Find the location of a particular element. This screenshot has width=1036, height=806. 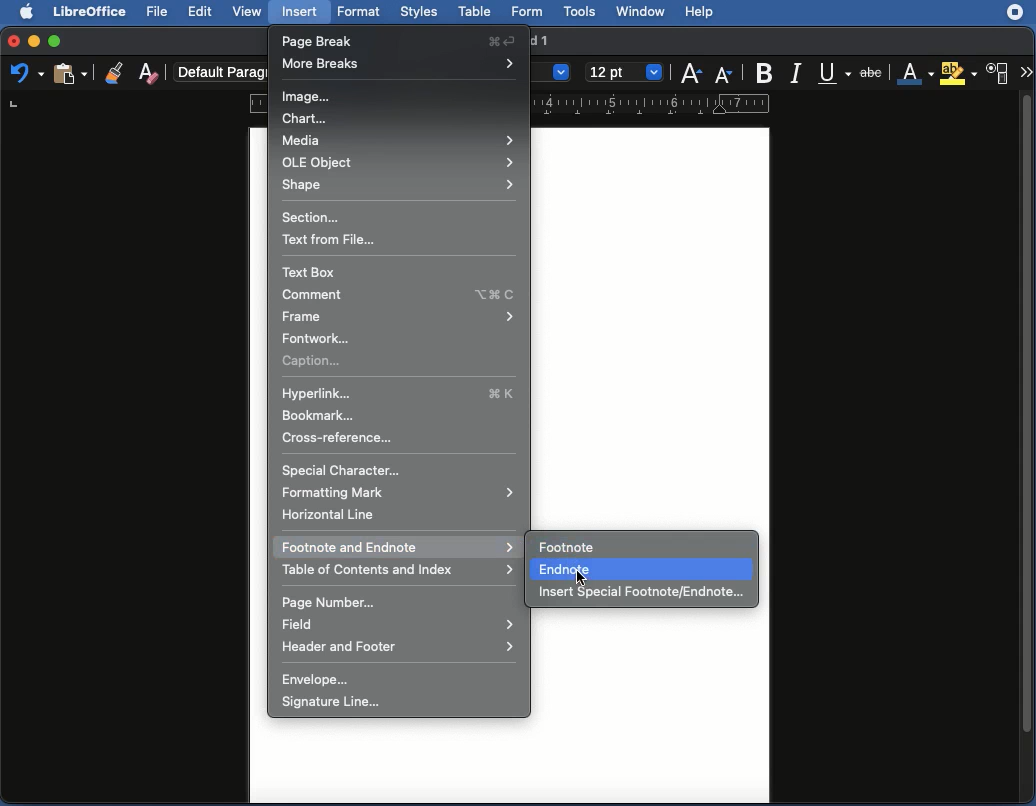

More breaks is located at coordinates (401, 63).